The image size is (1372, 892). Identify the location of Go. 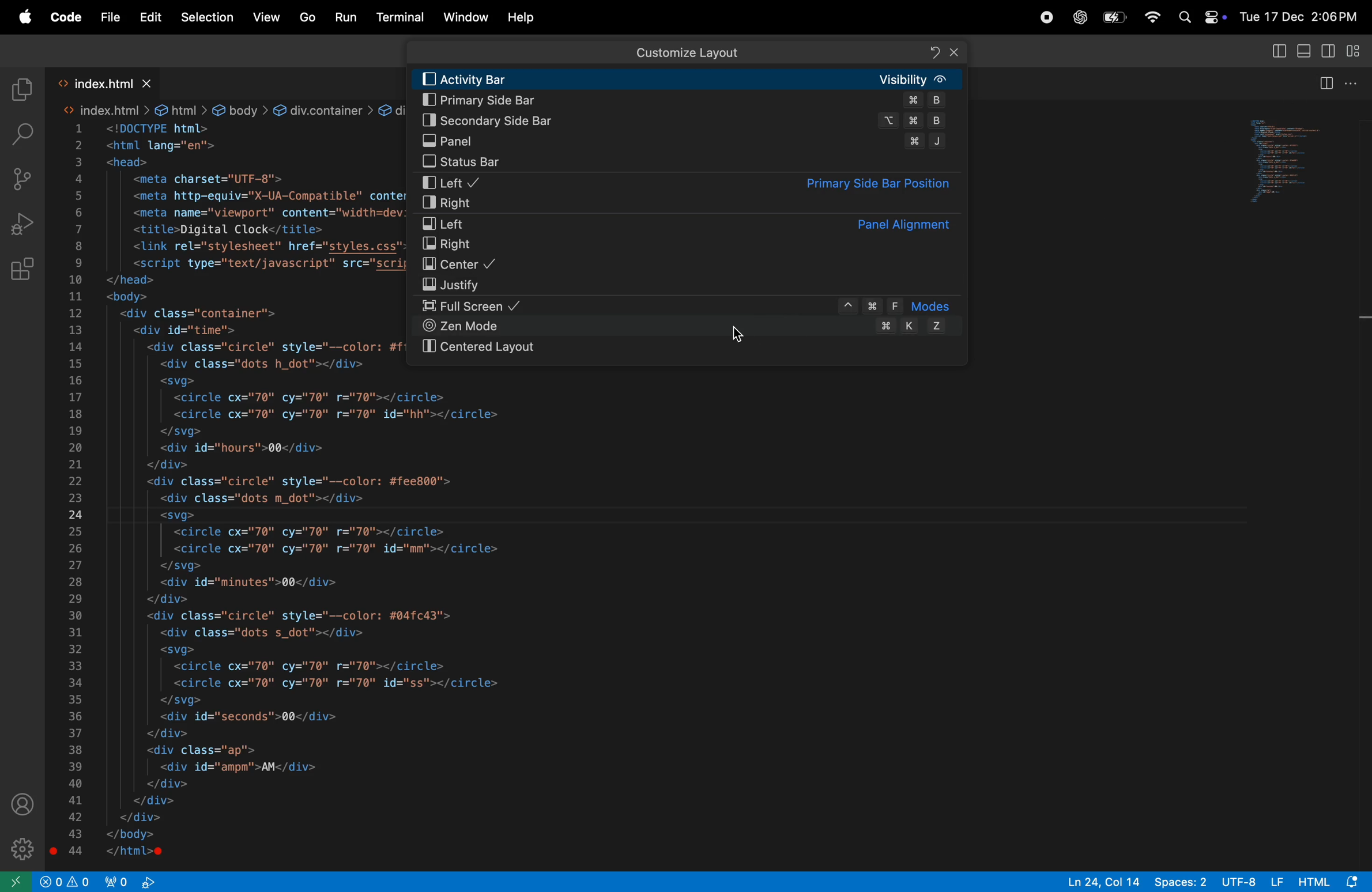
(309, 18).